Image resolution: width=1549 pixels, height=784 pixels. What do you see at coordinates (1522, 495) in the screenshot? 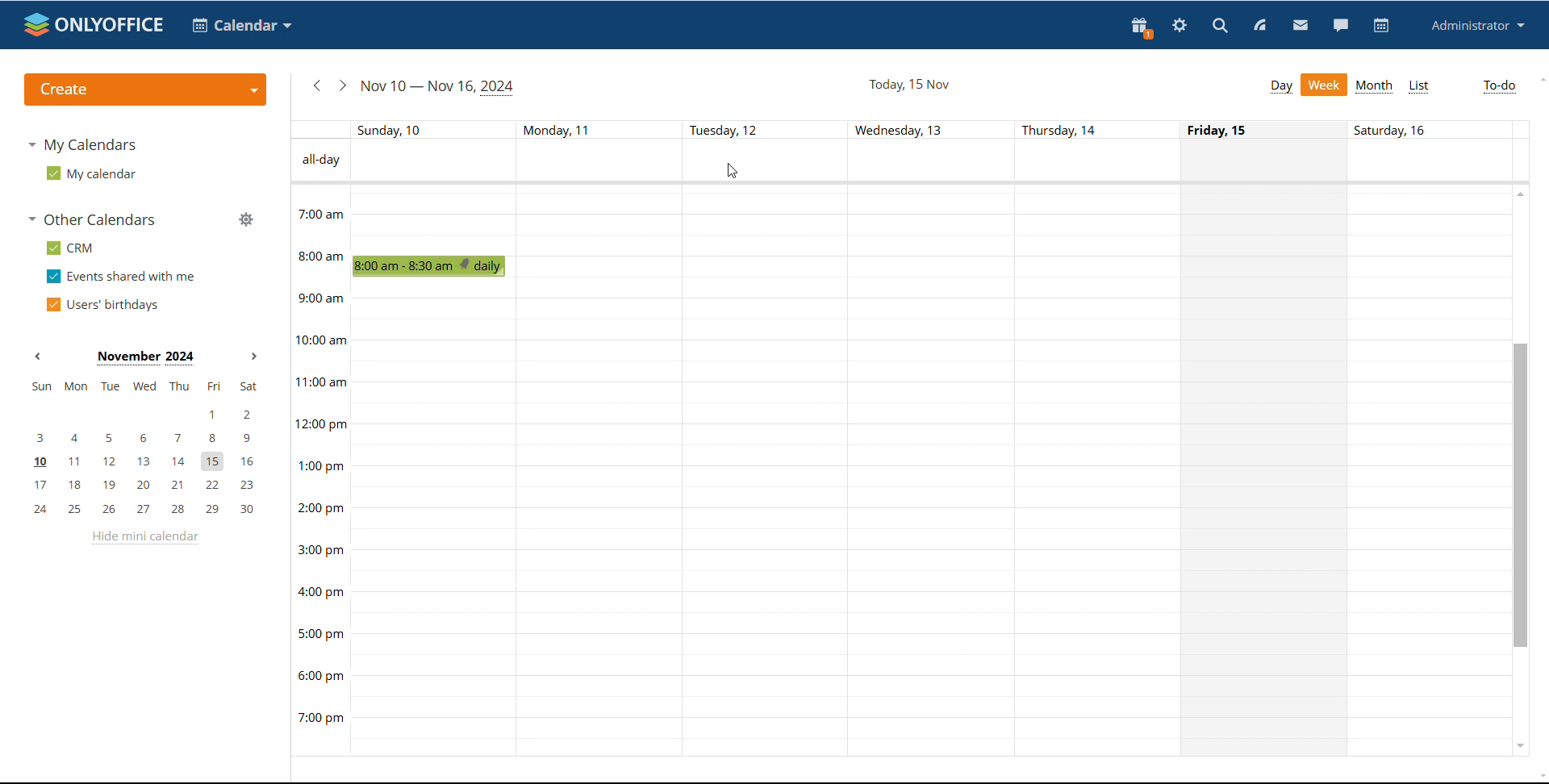
I see `scrollbar` at bounding box center [1522, 495].